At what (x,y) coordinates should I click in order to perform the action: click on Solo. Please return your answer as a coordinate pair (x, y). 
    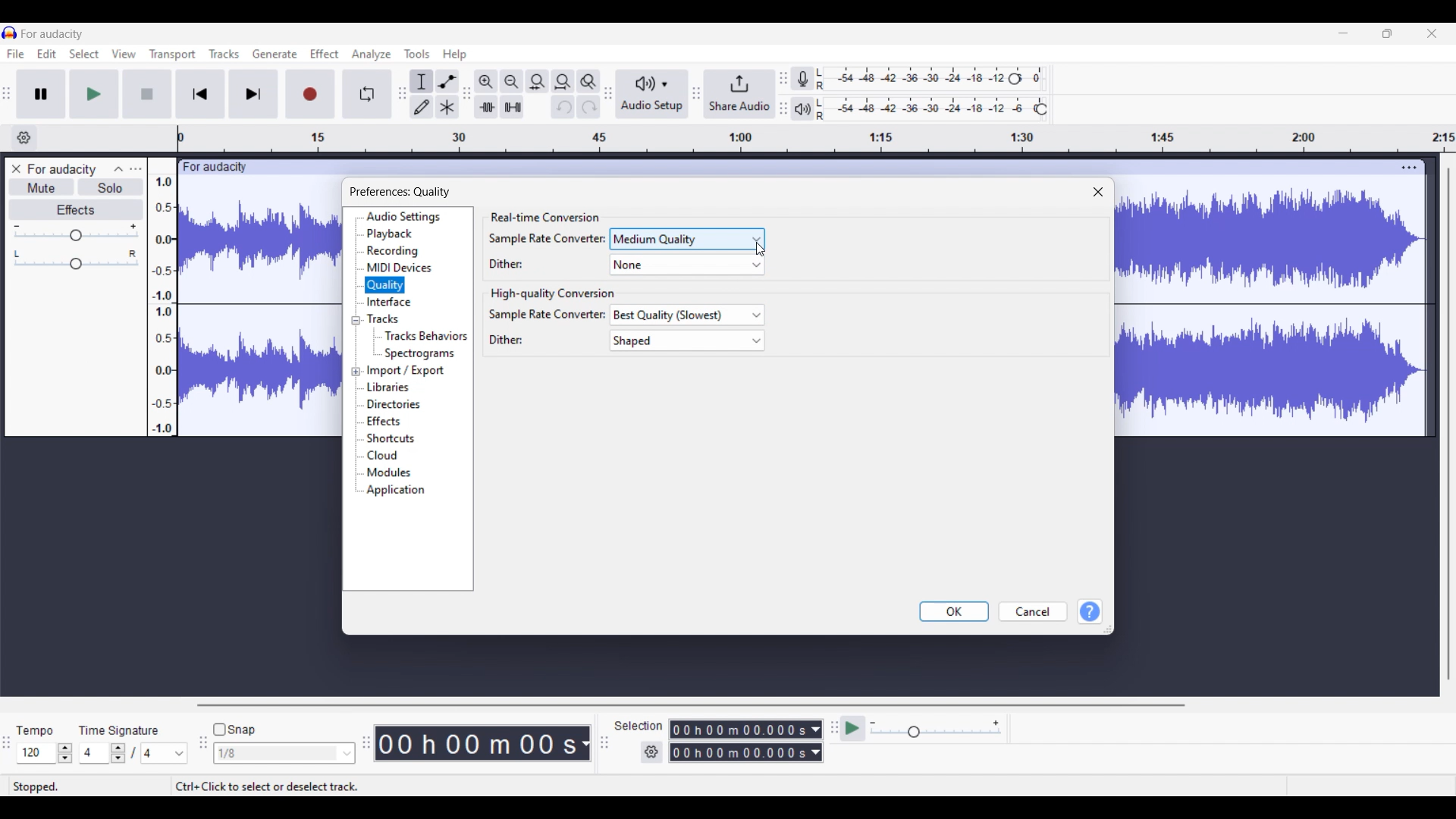
    Looking at the image, I should click on (111, 187).